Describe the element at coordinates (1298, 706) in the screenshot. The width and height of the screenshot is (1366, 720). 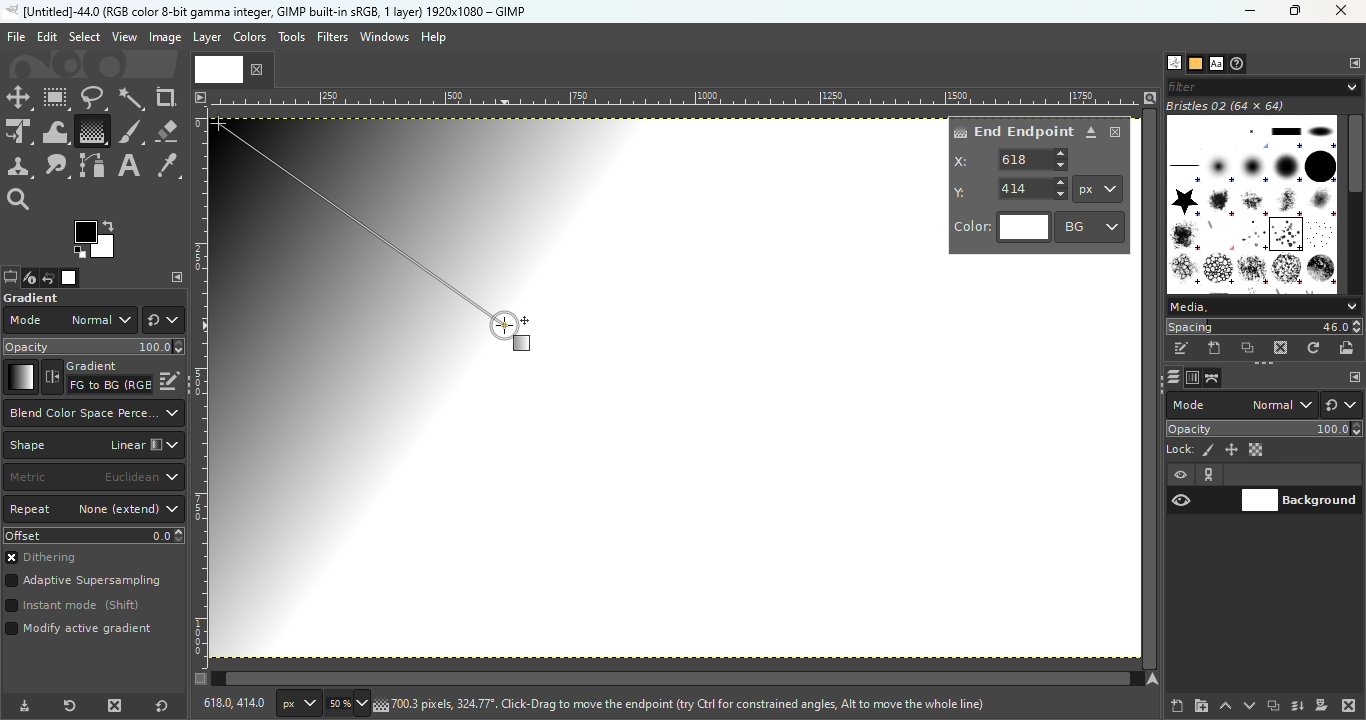
I see `Merge this layer with the first visible layer below it` at that location.